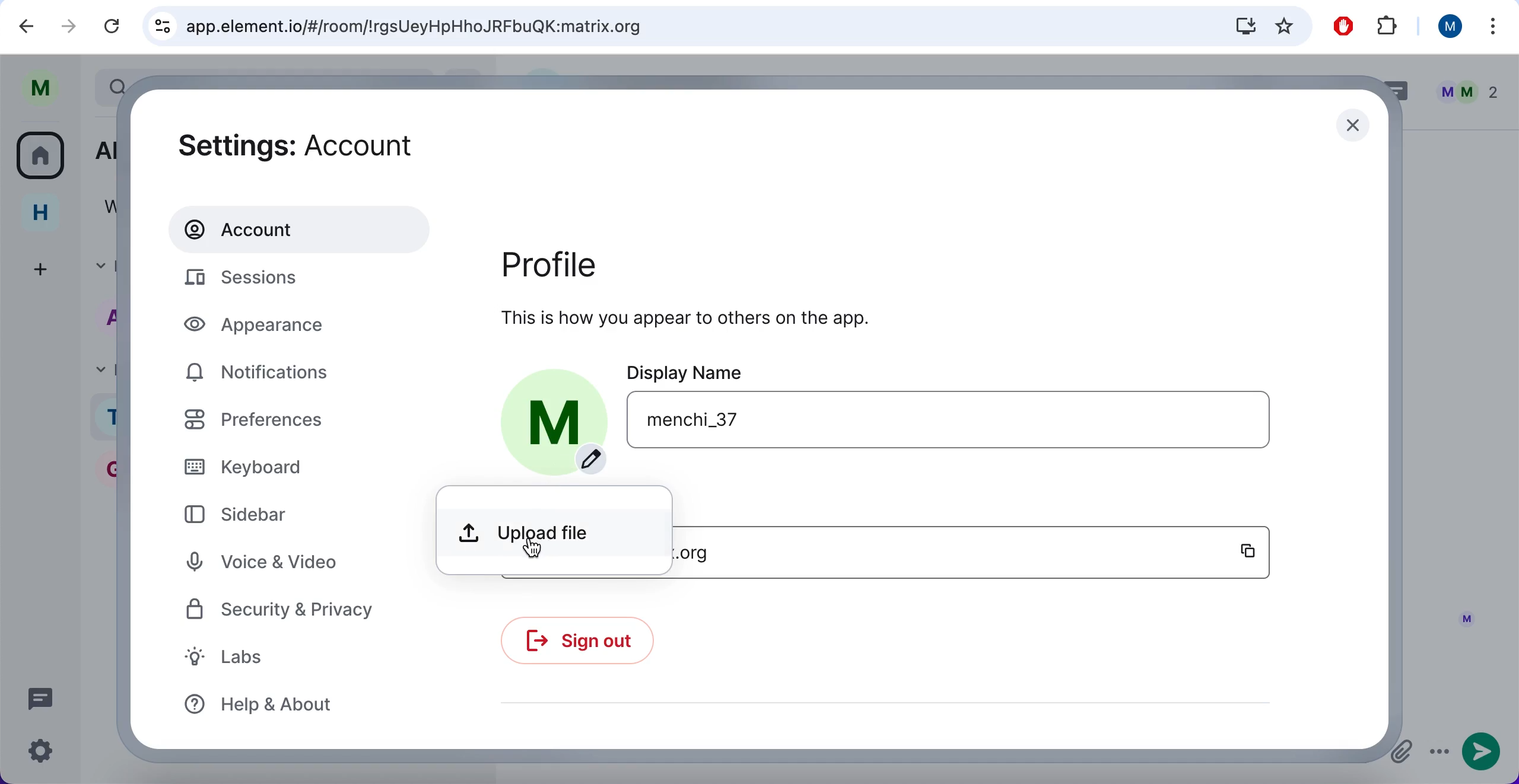  Describe the element at coordinates (110, 27) in the screenshot. I see `reload current page` at that location.